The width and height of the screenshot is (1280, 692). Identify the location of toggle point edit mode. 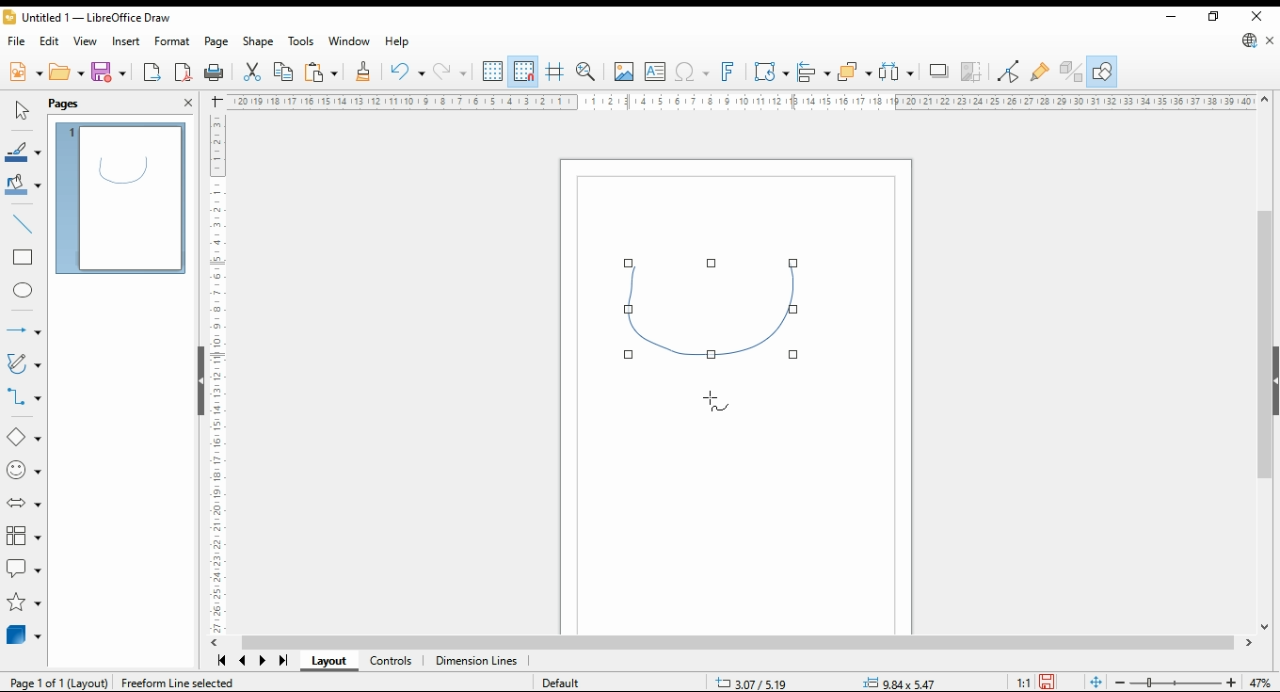
(1009, 72).